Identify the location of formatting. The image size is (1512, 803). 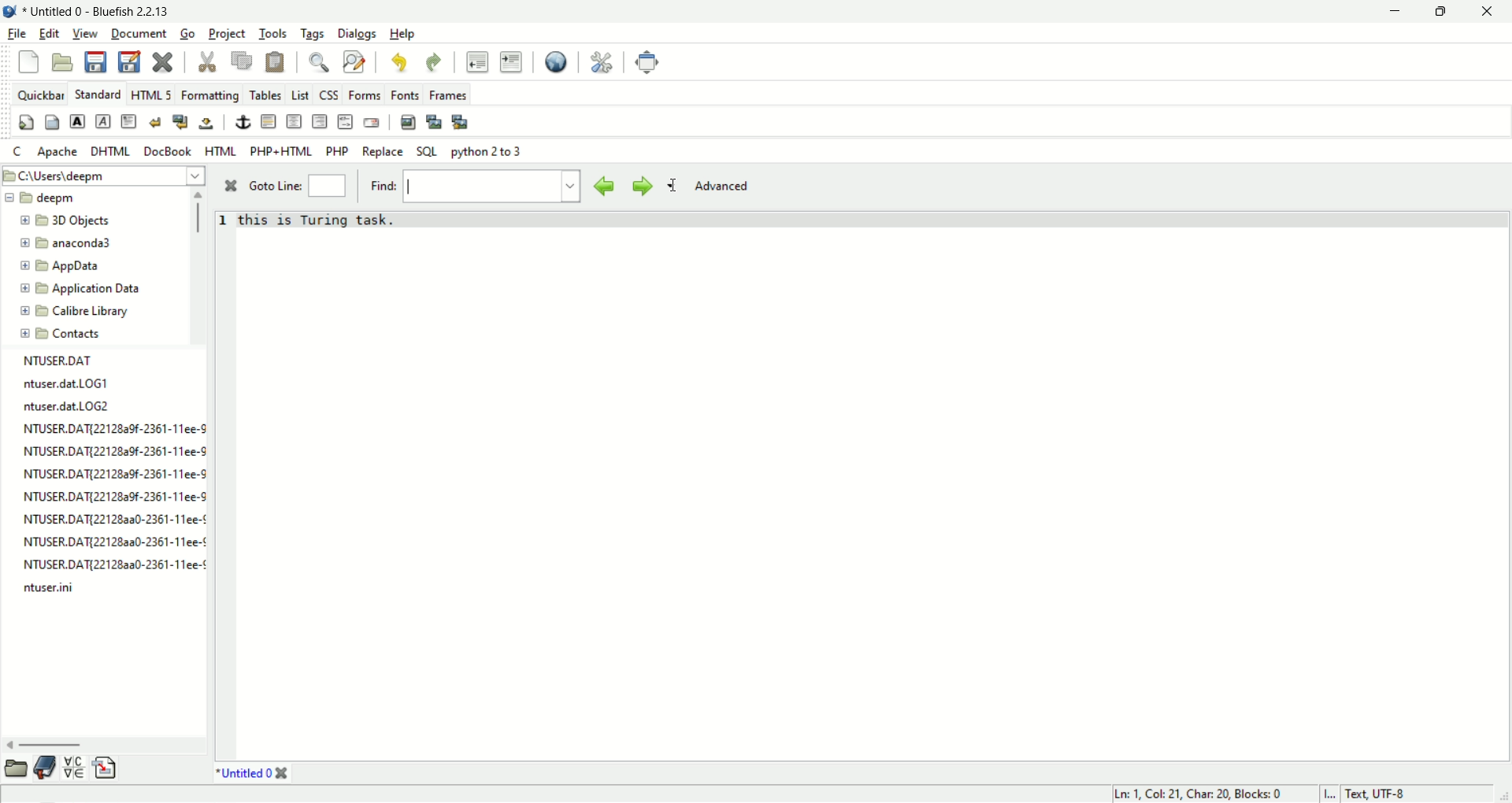
(212, 97).